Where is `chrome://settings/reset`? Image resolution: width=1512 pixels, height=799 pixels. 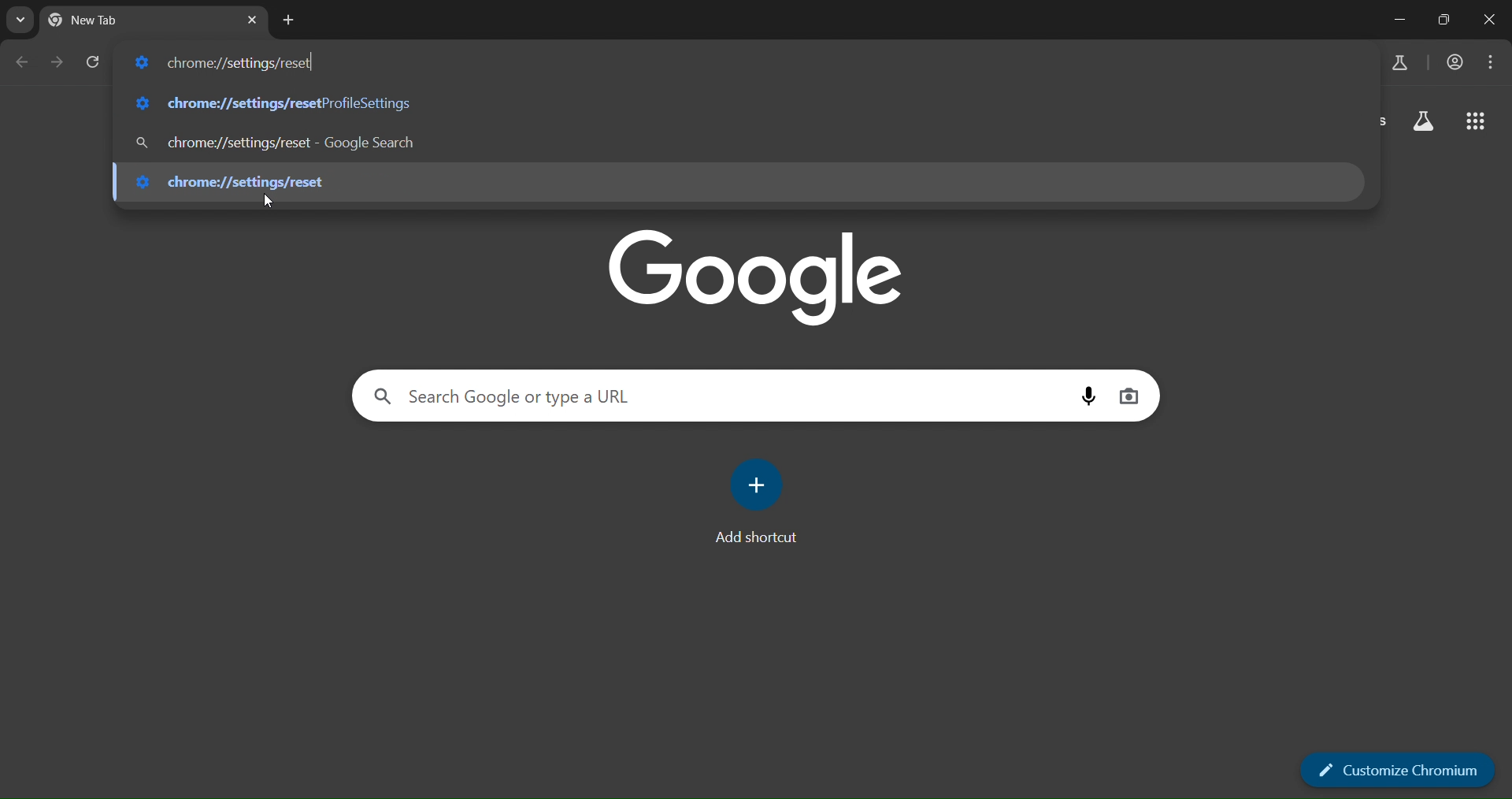 chrome://settings/reset is located at coordinates (277, 100).